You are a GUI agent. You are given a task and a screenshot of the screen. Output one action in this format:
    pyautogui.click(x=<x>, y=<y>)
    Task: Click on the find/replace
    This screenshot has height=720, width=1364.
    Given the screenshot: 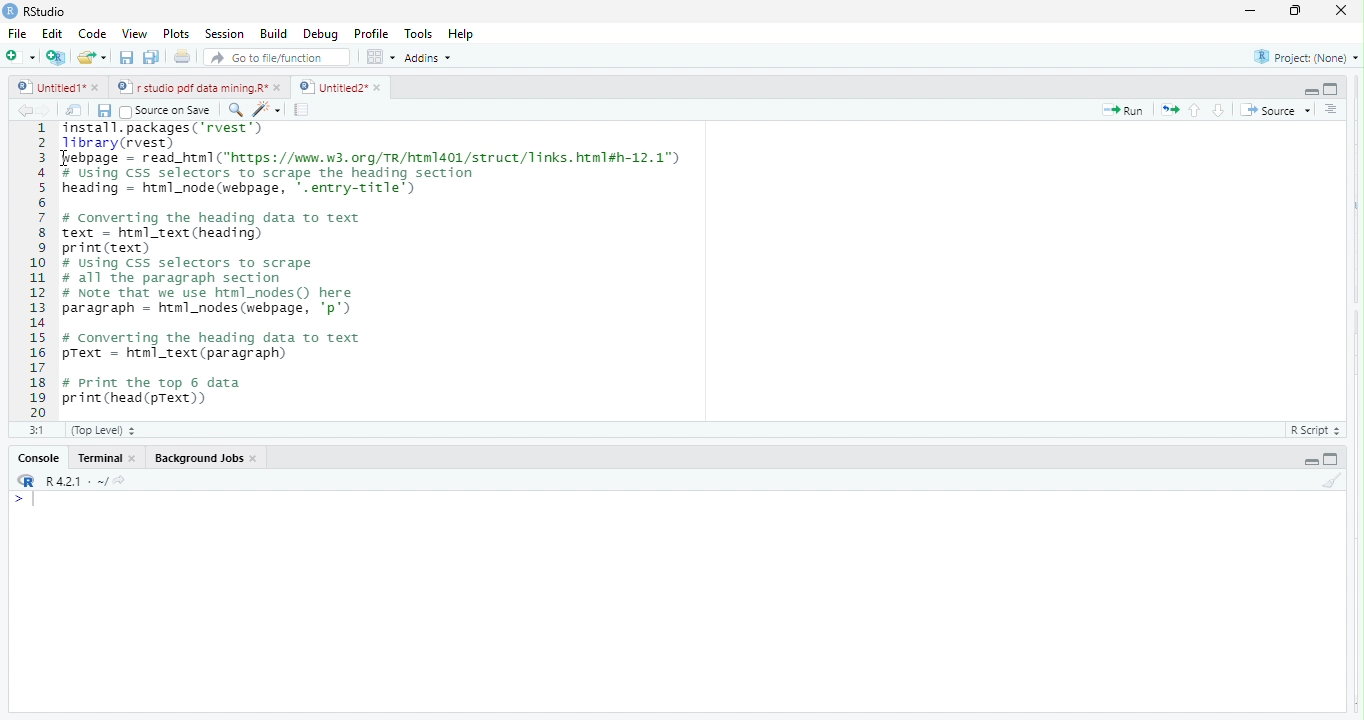 What is the action you would take?
    pyautogui.click(x=234, y=109)
    